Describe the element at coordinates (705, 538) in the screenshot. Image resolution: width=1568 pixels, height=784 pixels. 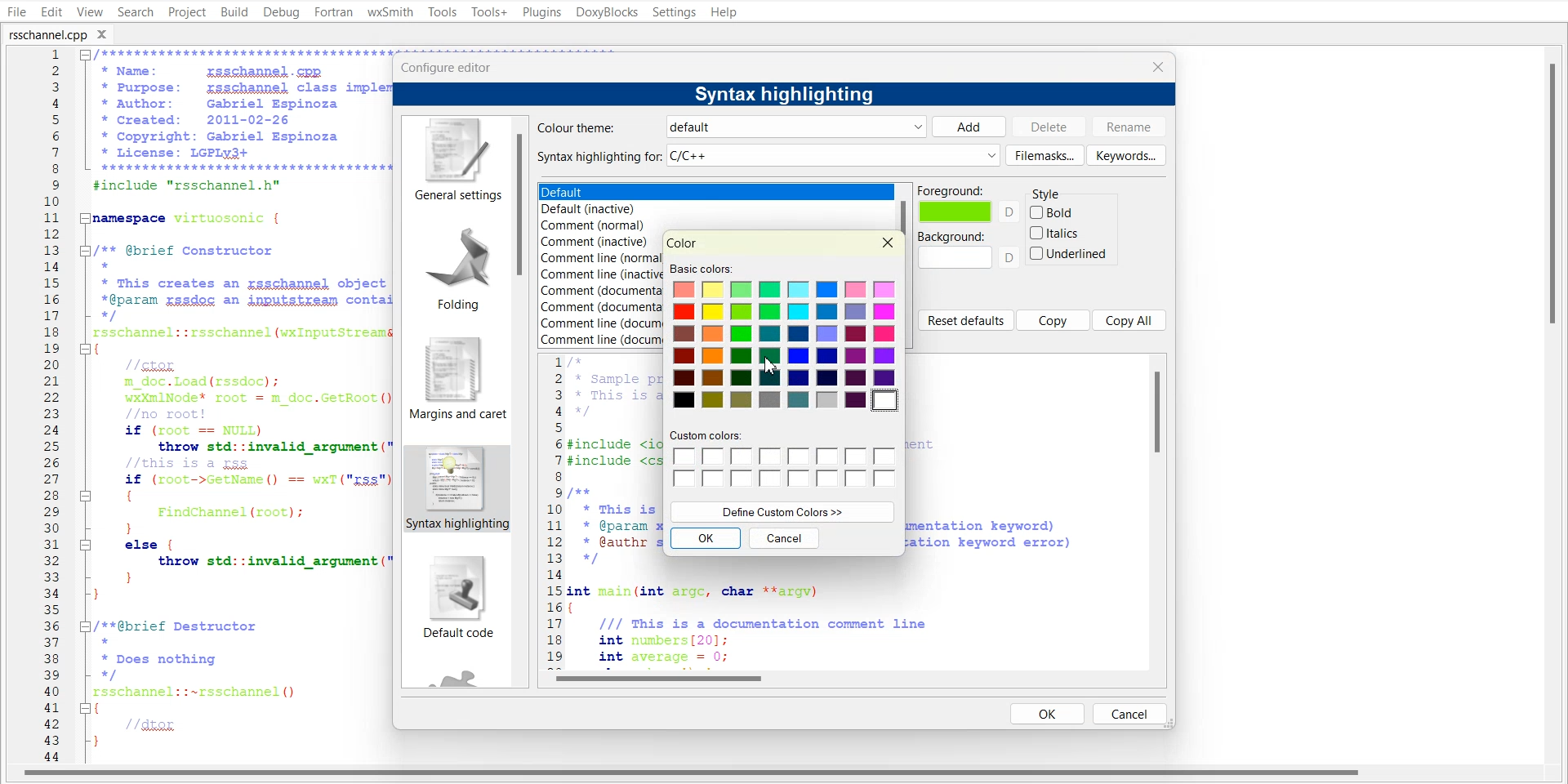
I see `OK` at that location.